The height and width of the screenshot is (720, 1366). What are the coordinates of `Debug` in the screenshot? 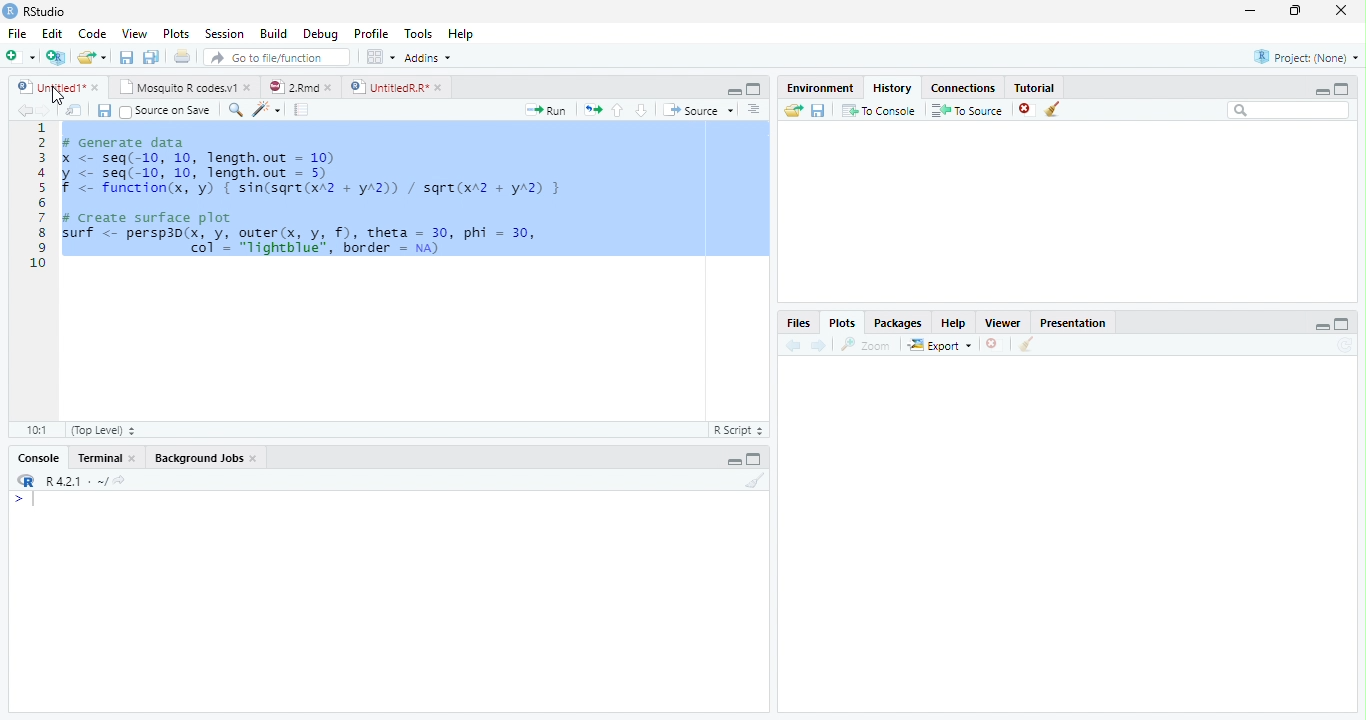 It's located at (320, 33).